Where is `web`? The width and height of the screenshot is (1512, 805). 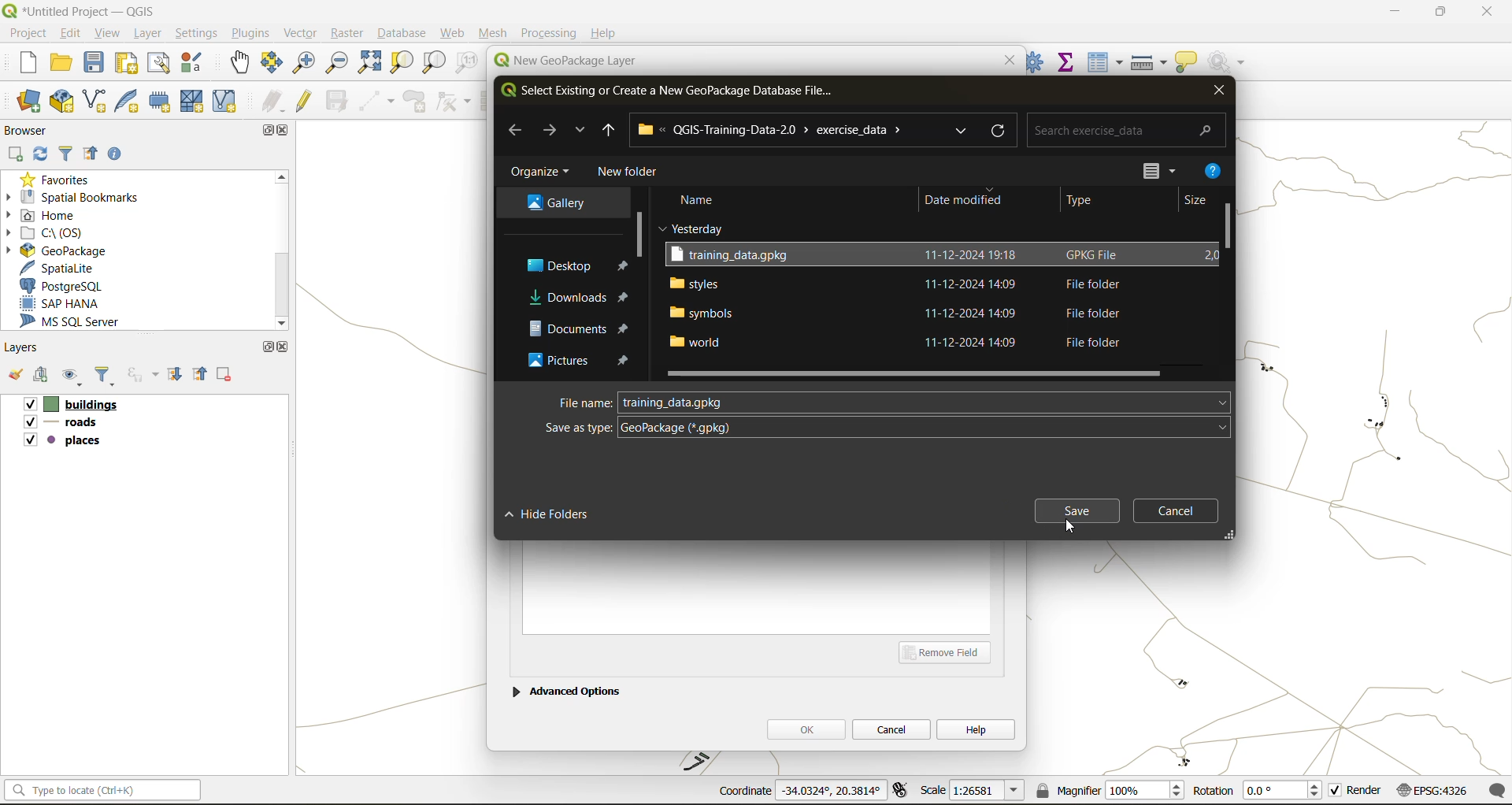 web is located at coordinates (454, 33).